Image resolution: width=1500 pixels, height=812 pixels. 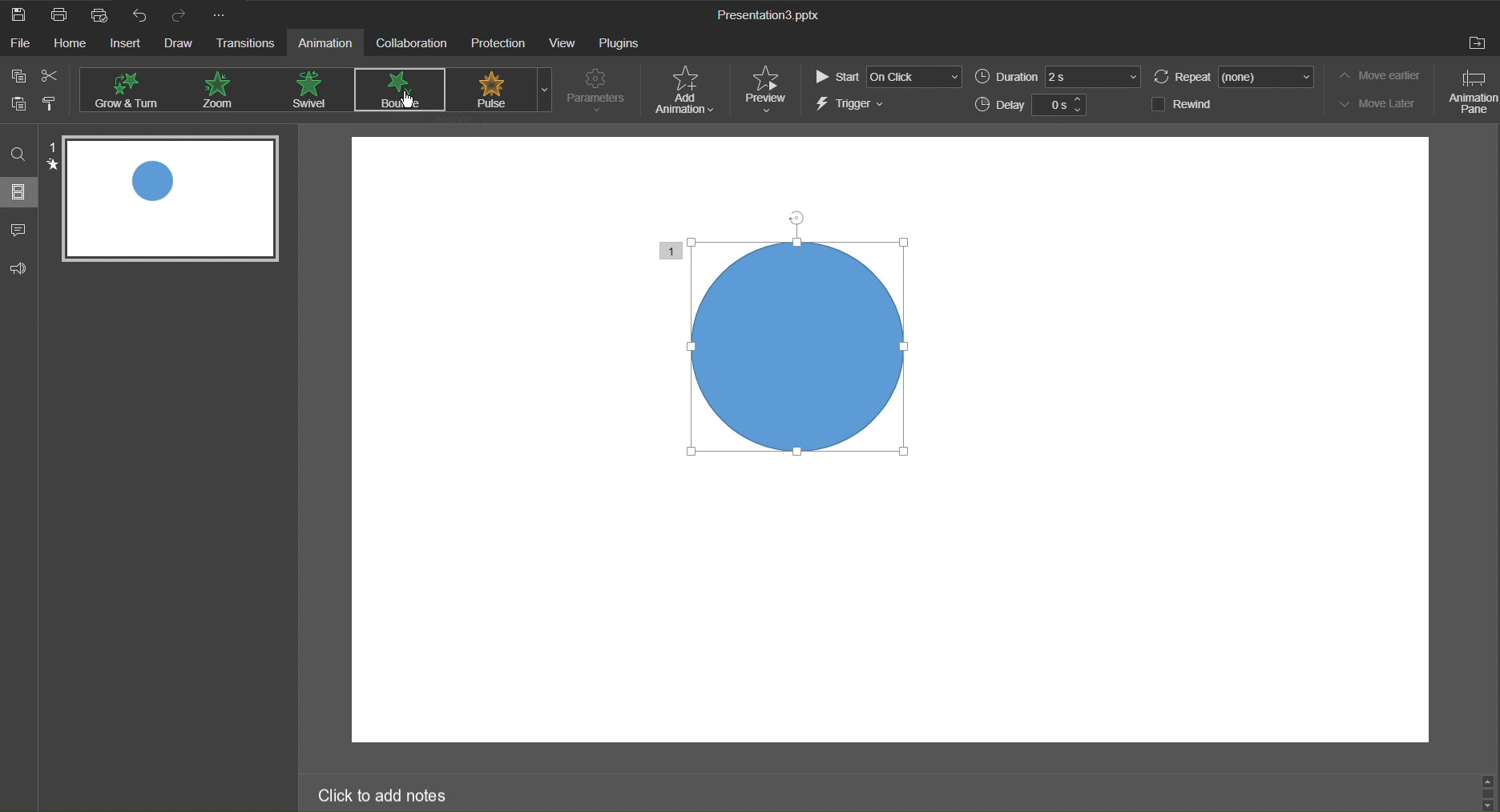 I want to click on Find, so click(x=19, y=152).